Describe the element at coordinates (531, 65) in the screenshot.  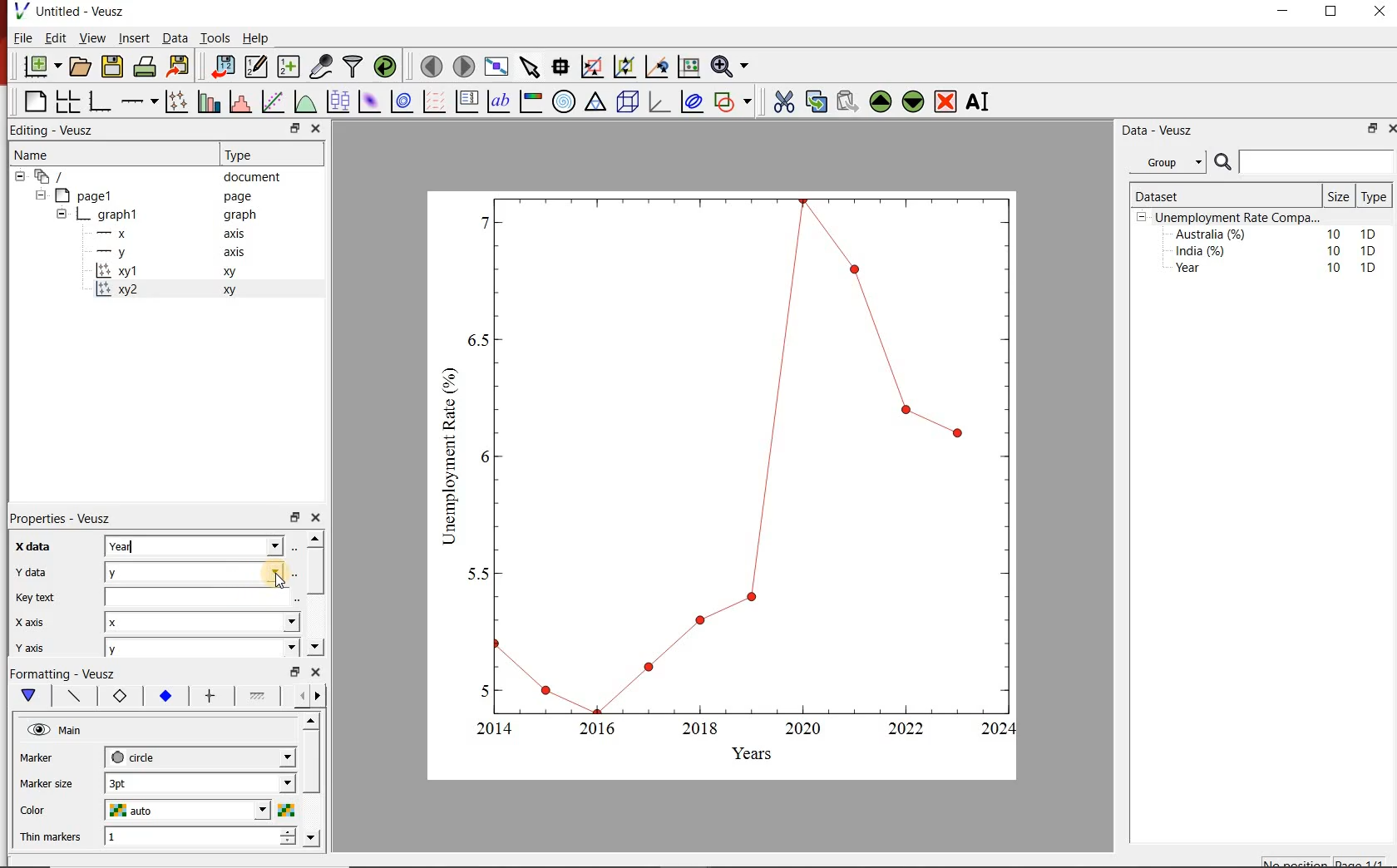
I see `select the items` at that location.